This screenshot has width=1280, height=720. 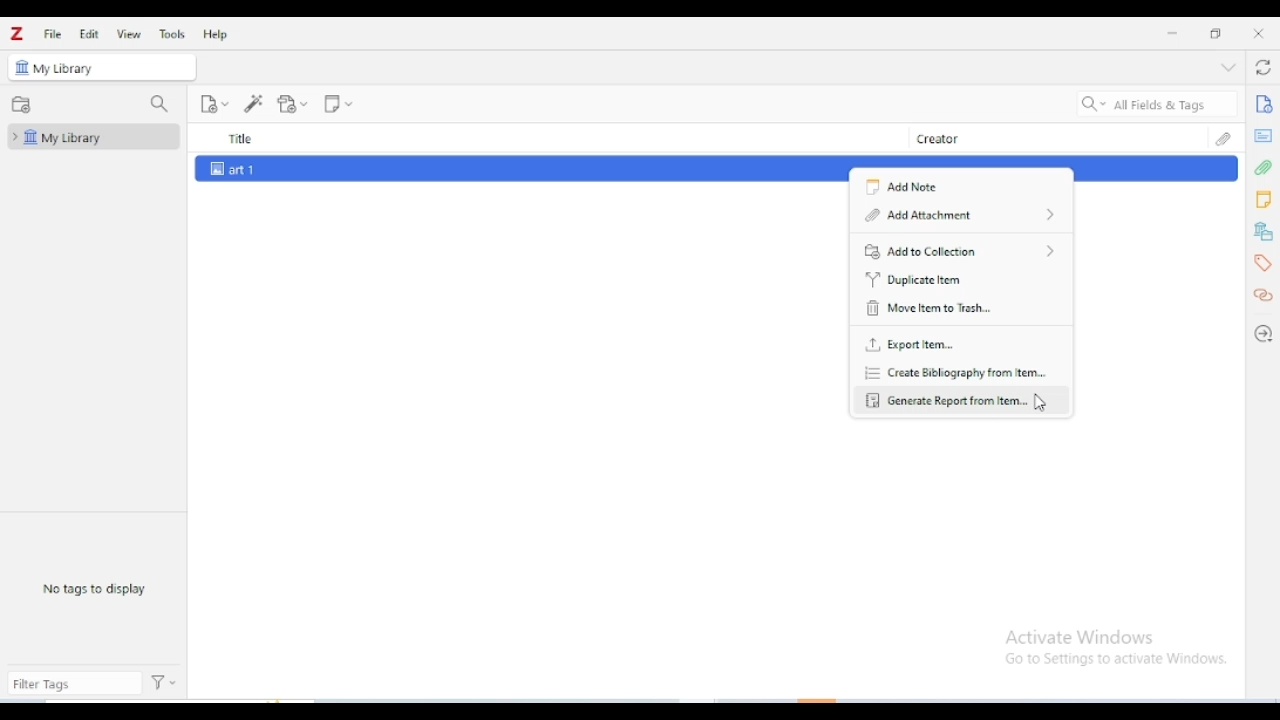 What do you see at coordinates (254, 103) in the screenshot?
I see `add item(s) by identifier` at bounding box center [254, 103].